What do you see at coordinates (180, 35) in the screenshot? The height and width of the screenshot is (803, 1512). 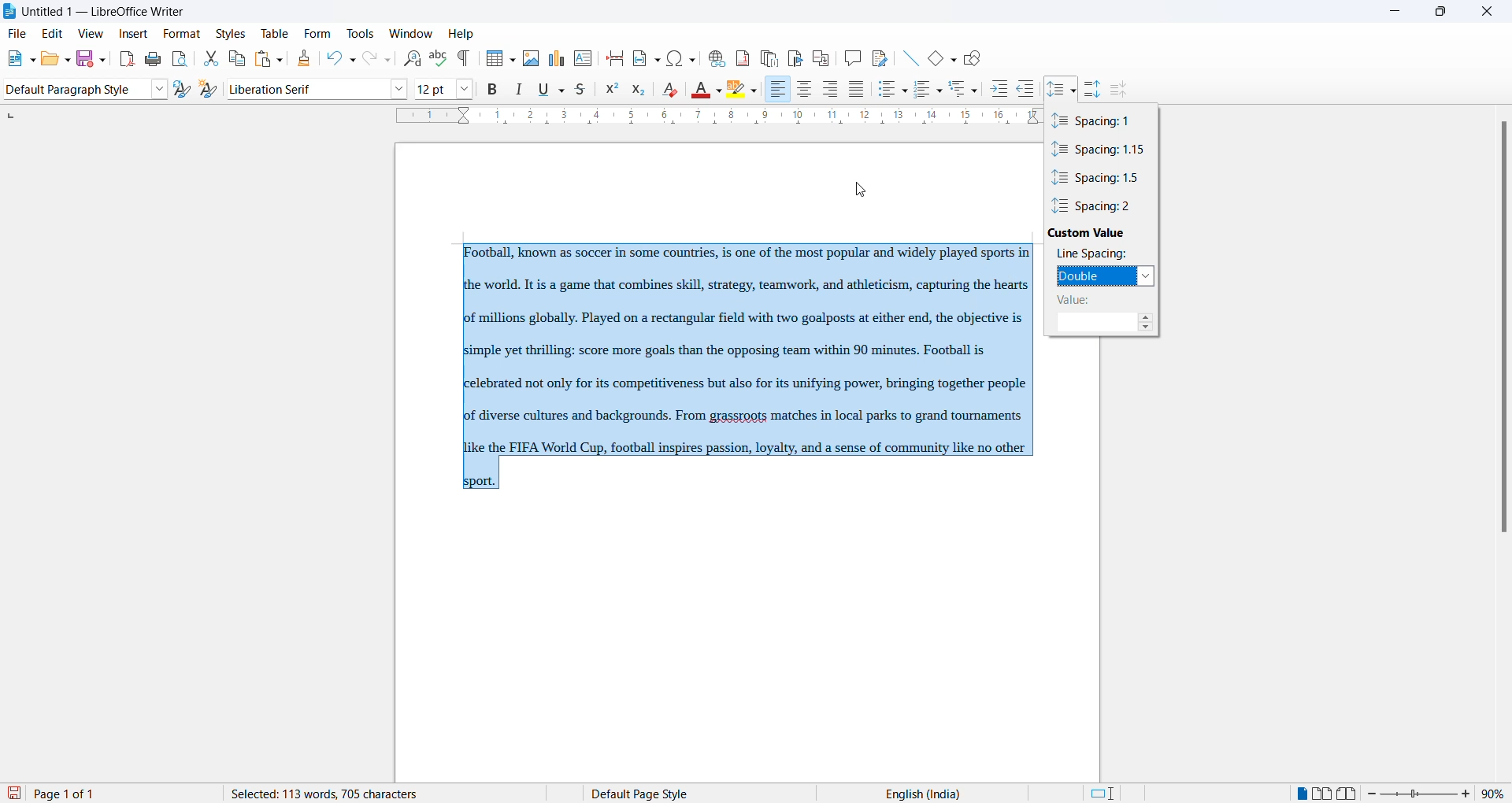 I see `format` at bounding box center [180, 35].